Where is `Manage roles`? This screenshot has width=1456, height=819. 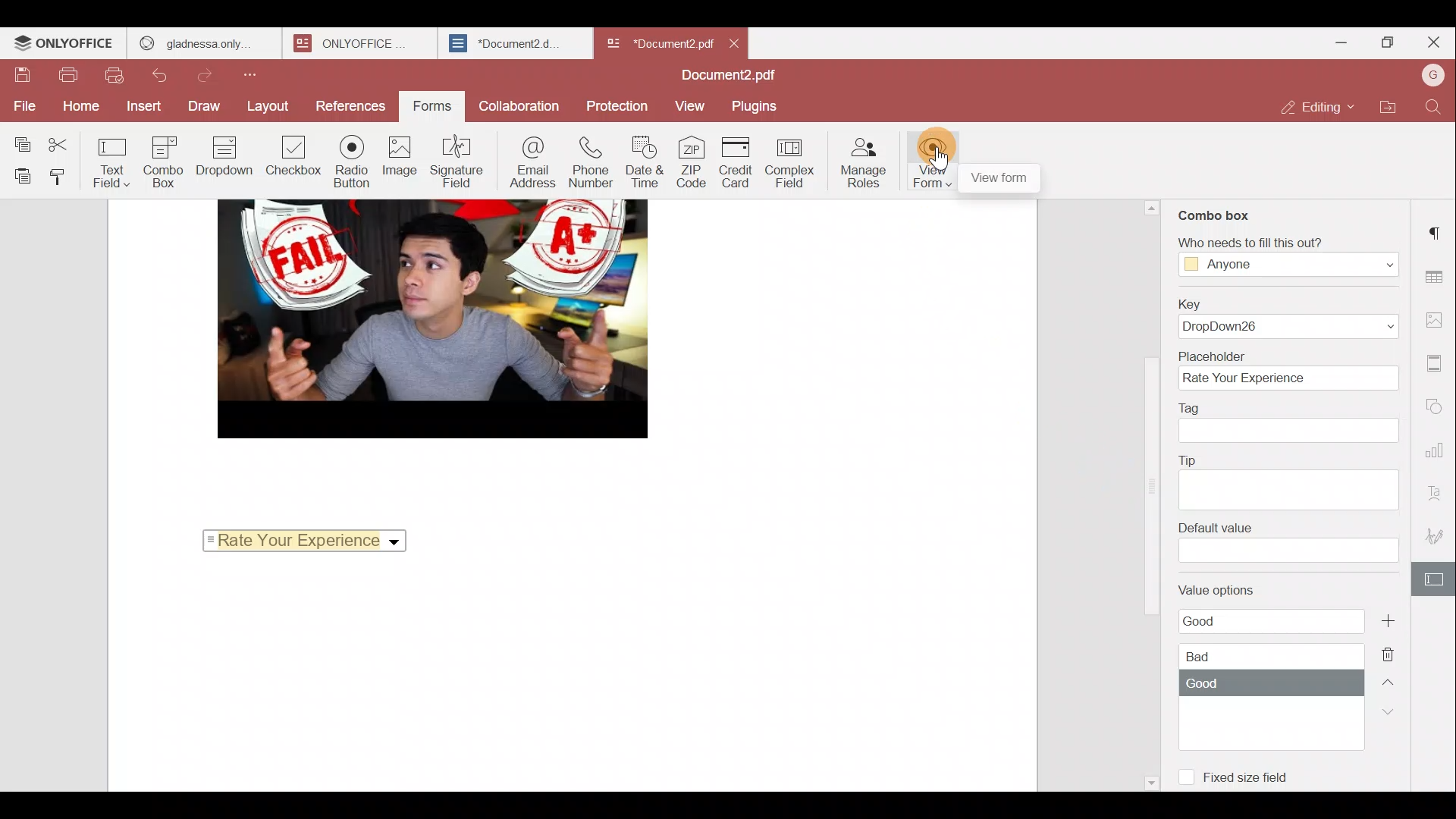 Manage roles is located at coordinates (865, 162).